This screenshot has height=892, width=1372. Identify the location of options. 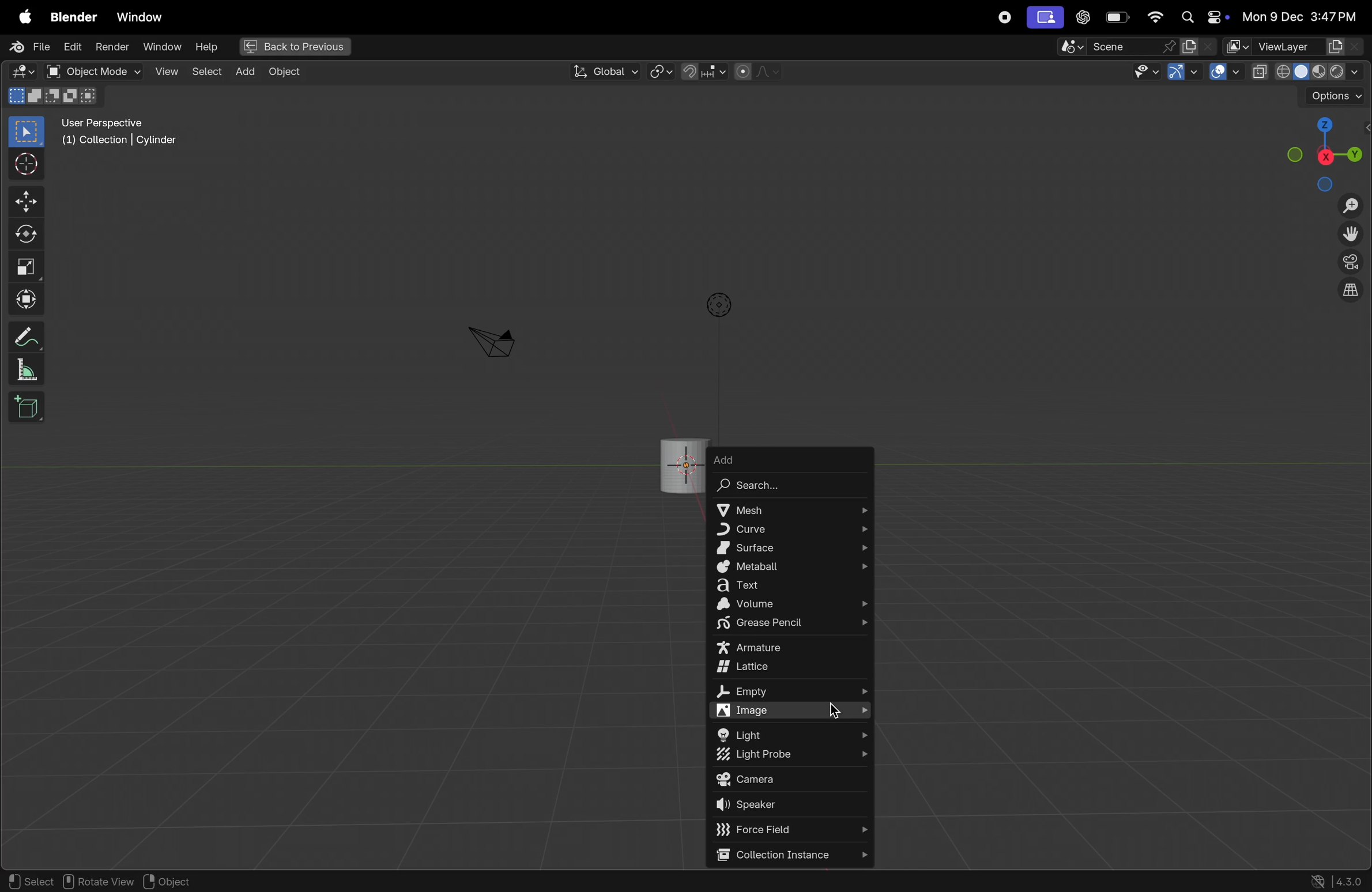
(717, 305).